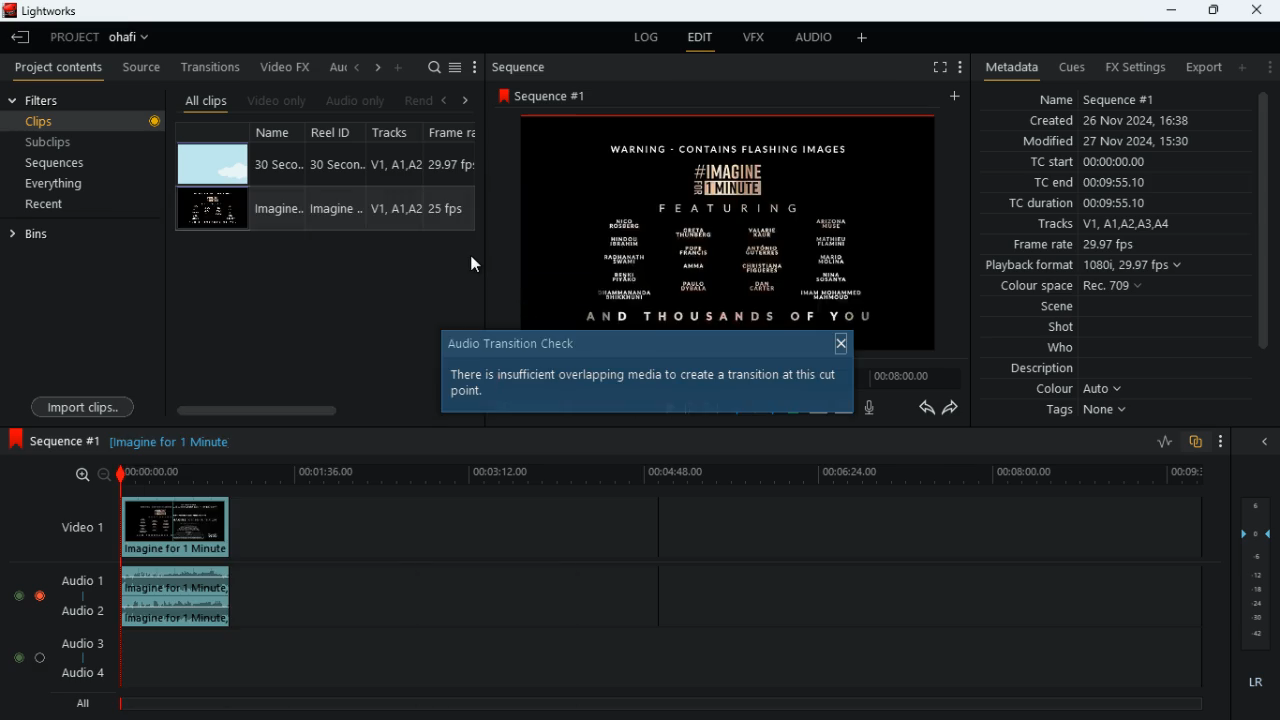  Describe the element at coordinates (22, 37) in the screenshot. I see `leave` at that location.